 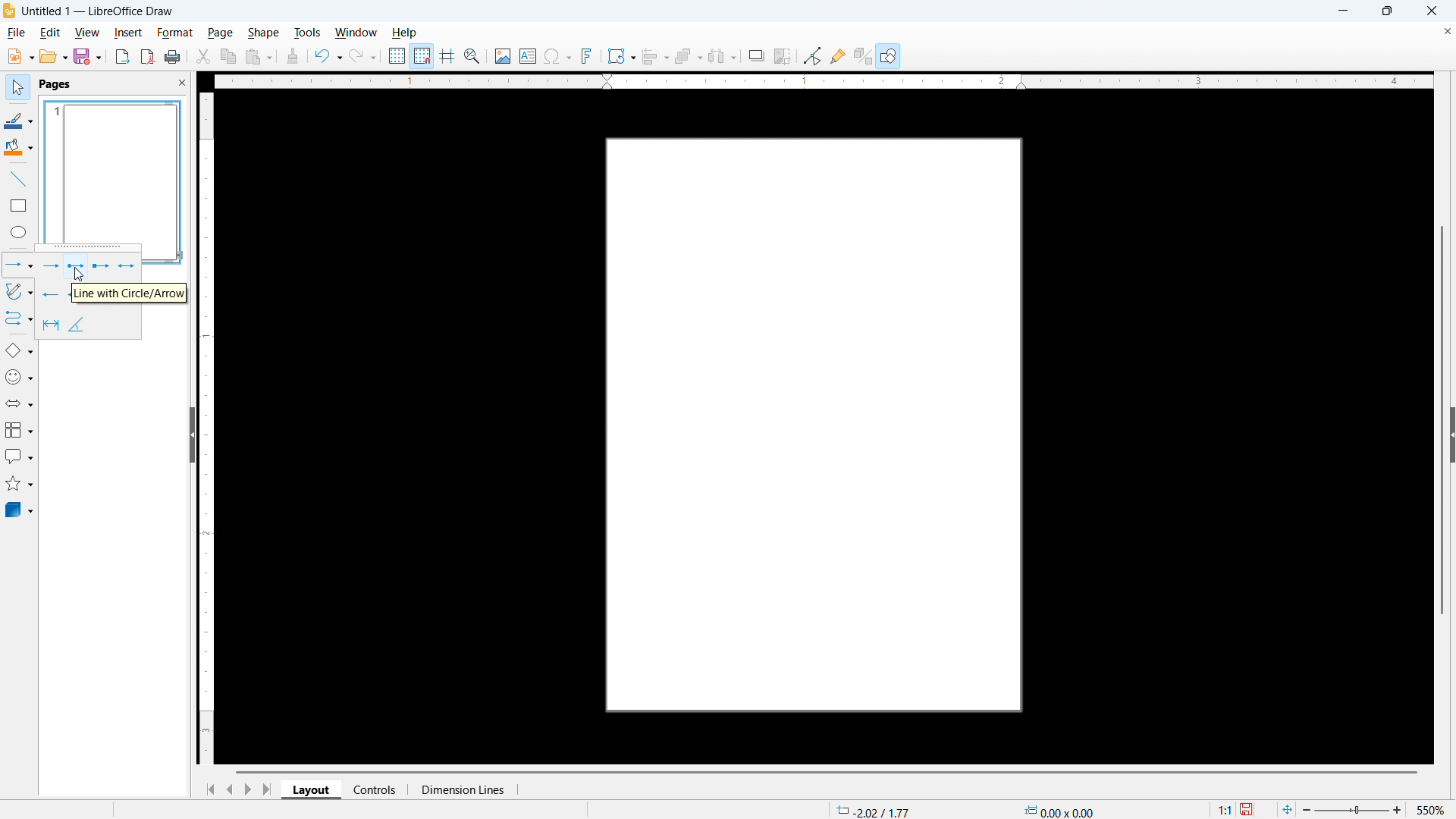 I want to click on Tools , so click(x=307, y=33).